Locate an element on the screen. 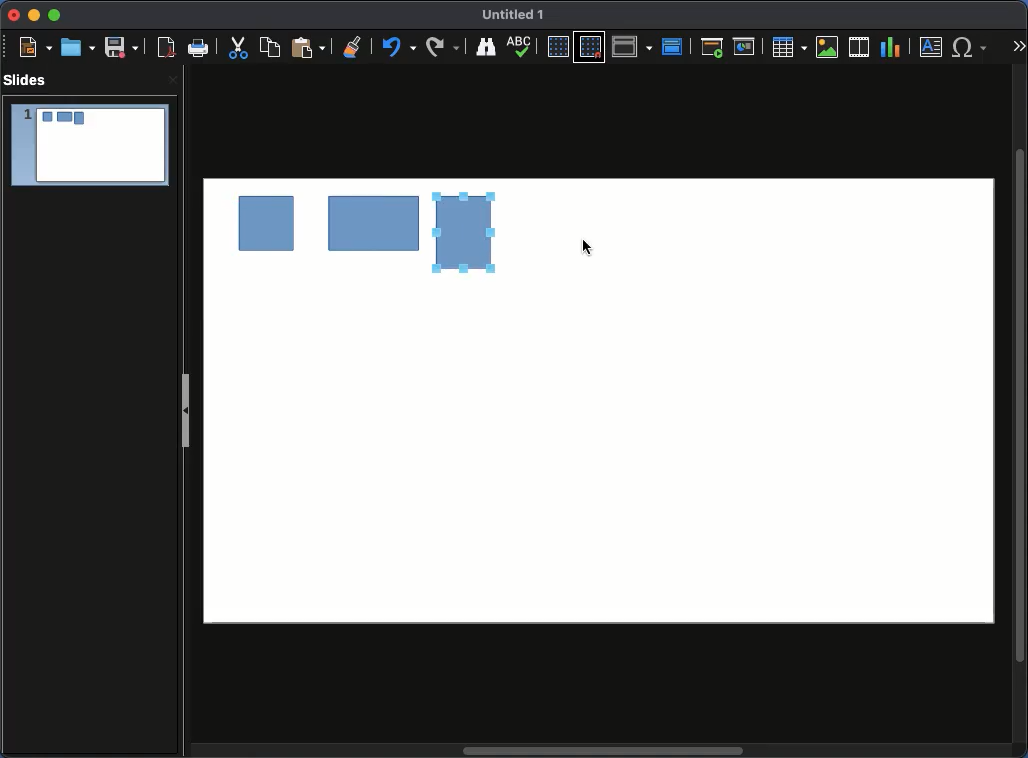 This screenshot has width=1028, height=758. Start from current slide is located at coordinates (745, 48).